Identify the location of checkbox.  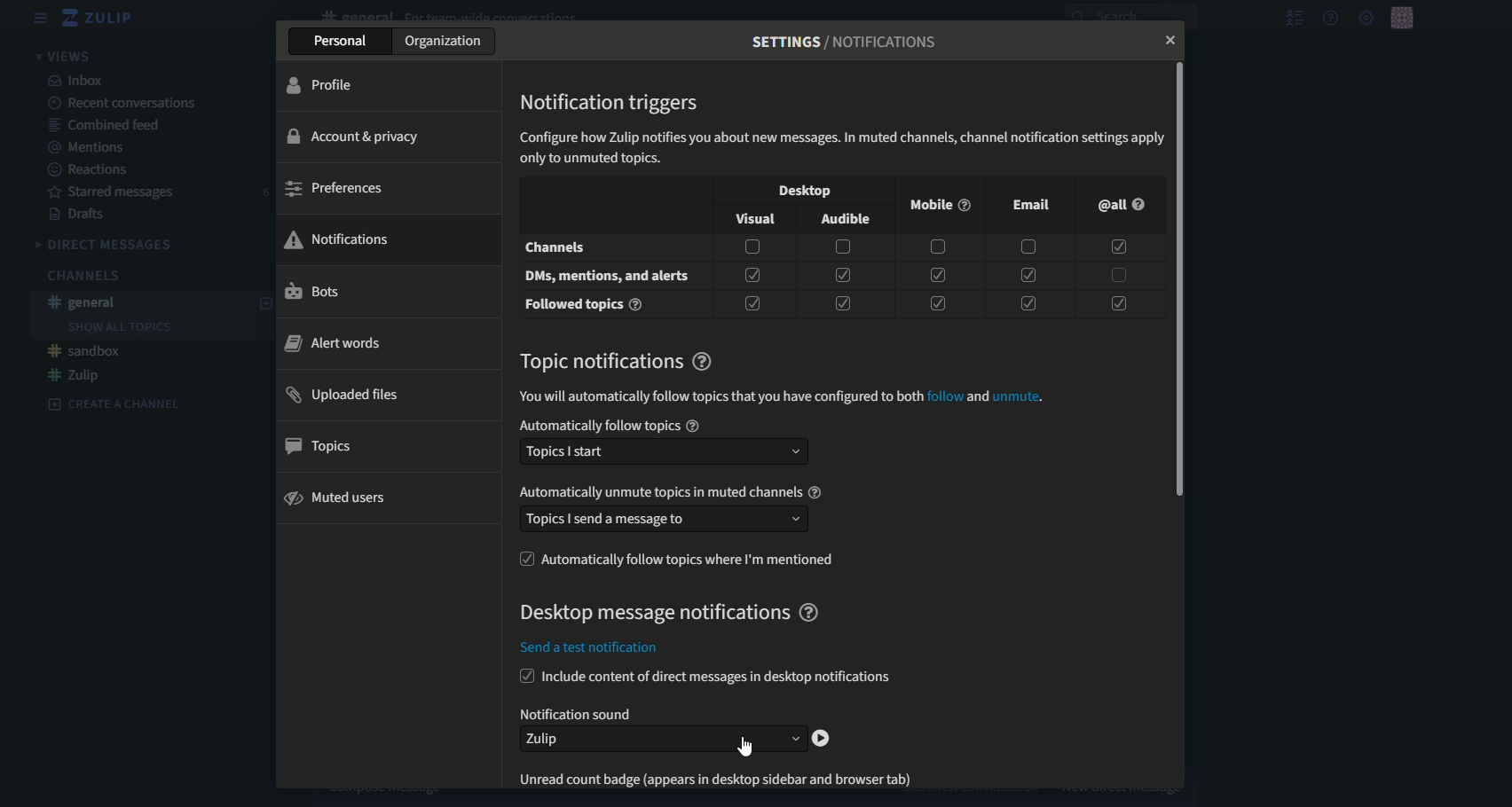
(842, 303).